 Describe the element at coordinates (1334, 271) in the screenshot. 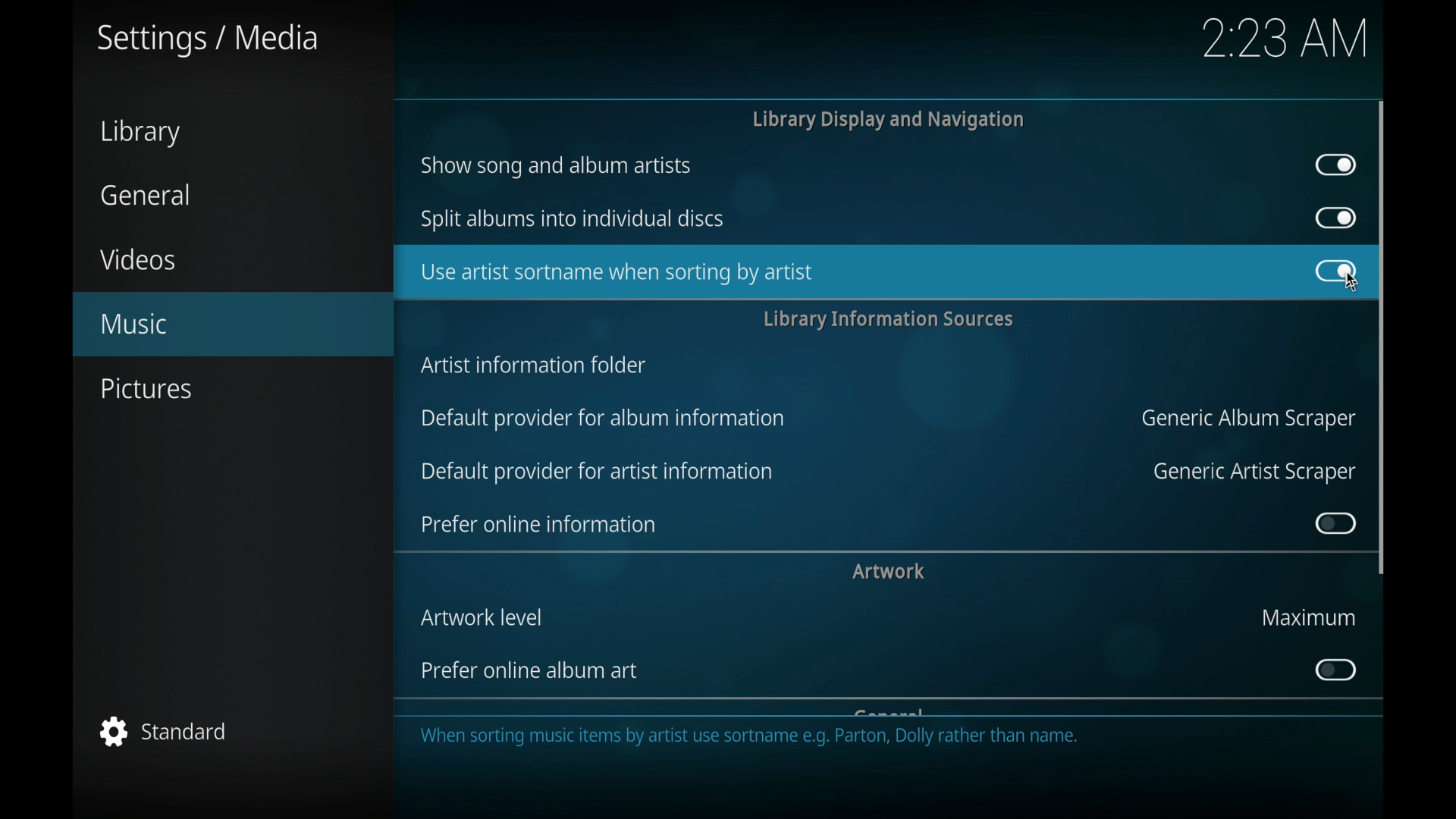

I see `toggle button` at that location.